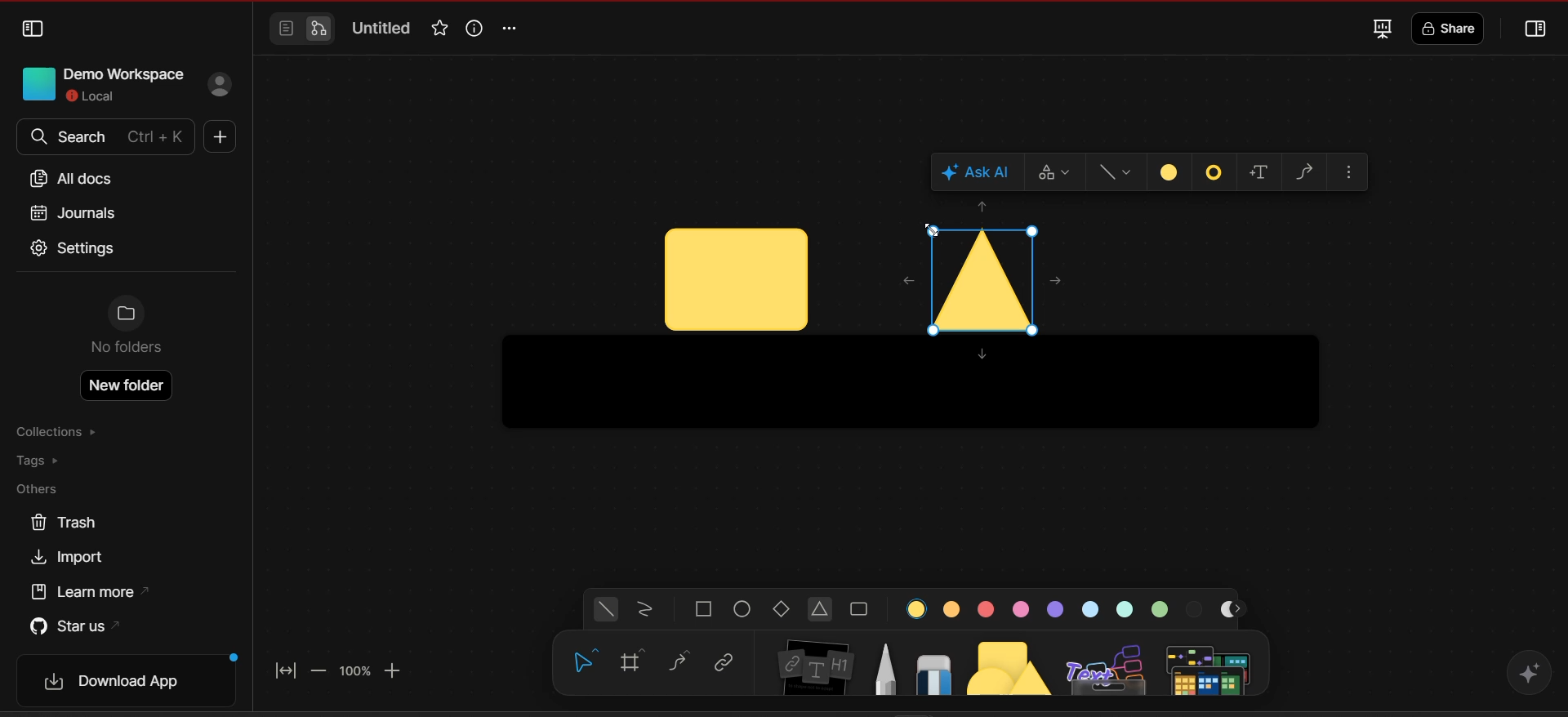 The image size is (1568, 717). I want to click on fit to screen, so click(289, 668).